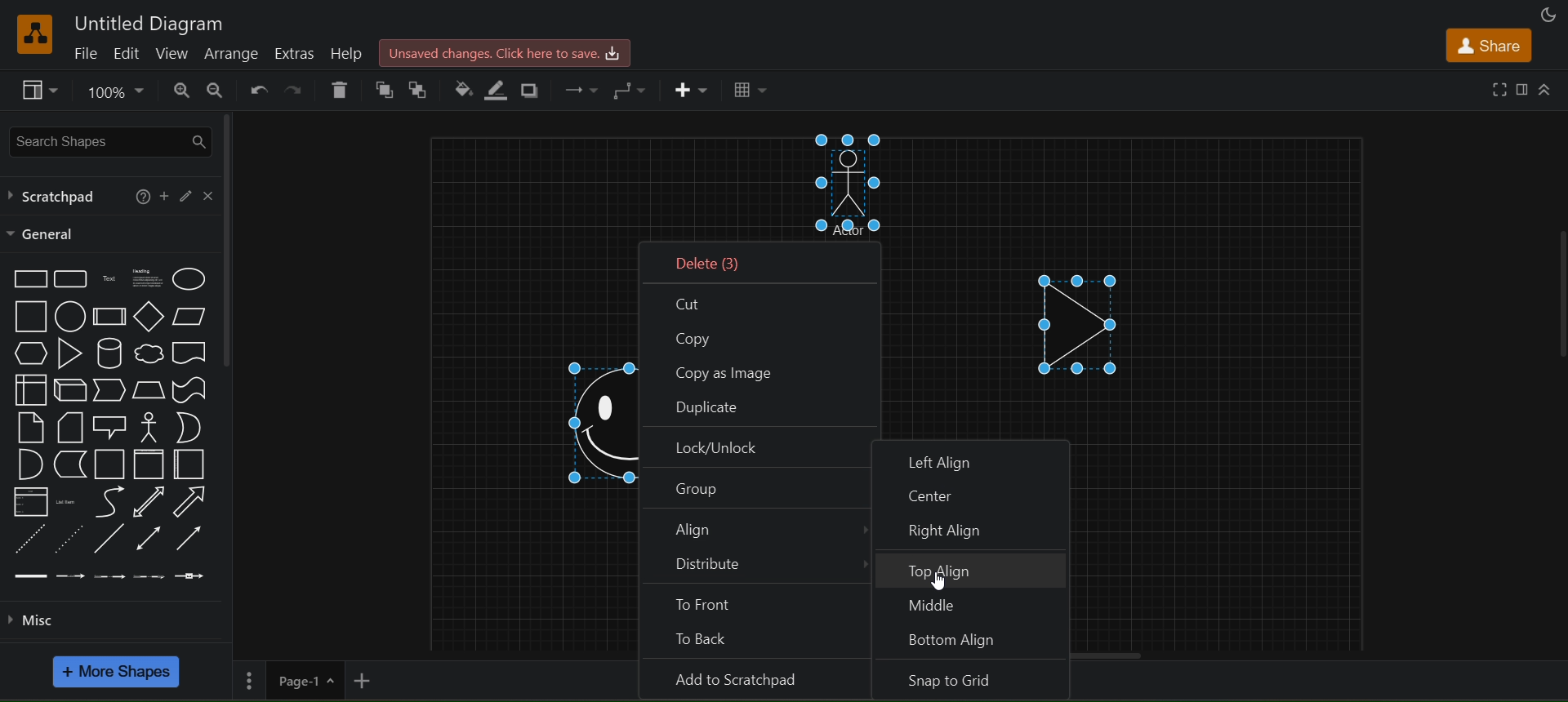  I want to click on cylinder, so click(109, 352).